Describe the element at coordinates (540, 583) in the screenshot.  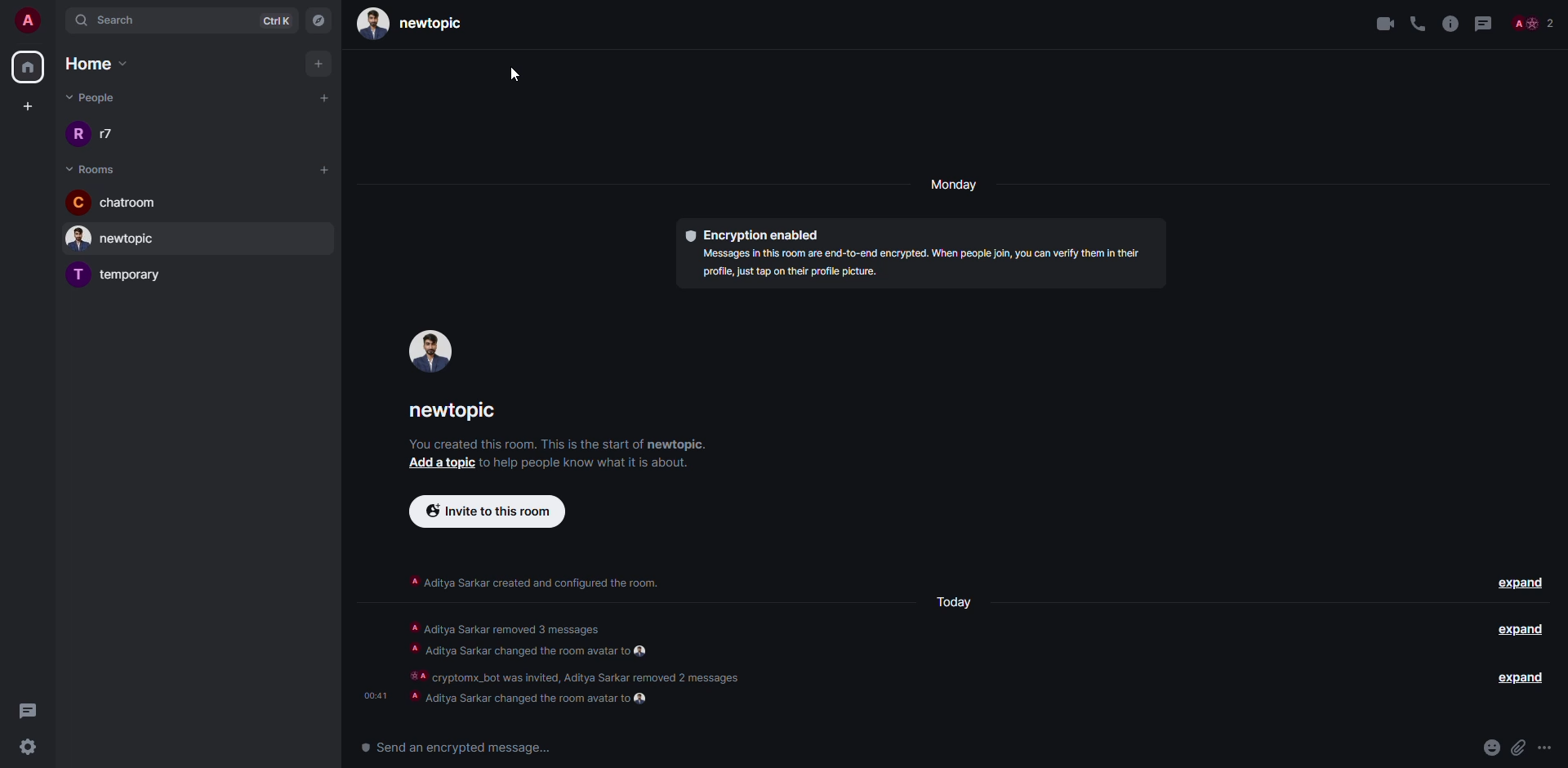
I see `info` at that location.